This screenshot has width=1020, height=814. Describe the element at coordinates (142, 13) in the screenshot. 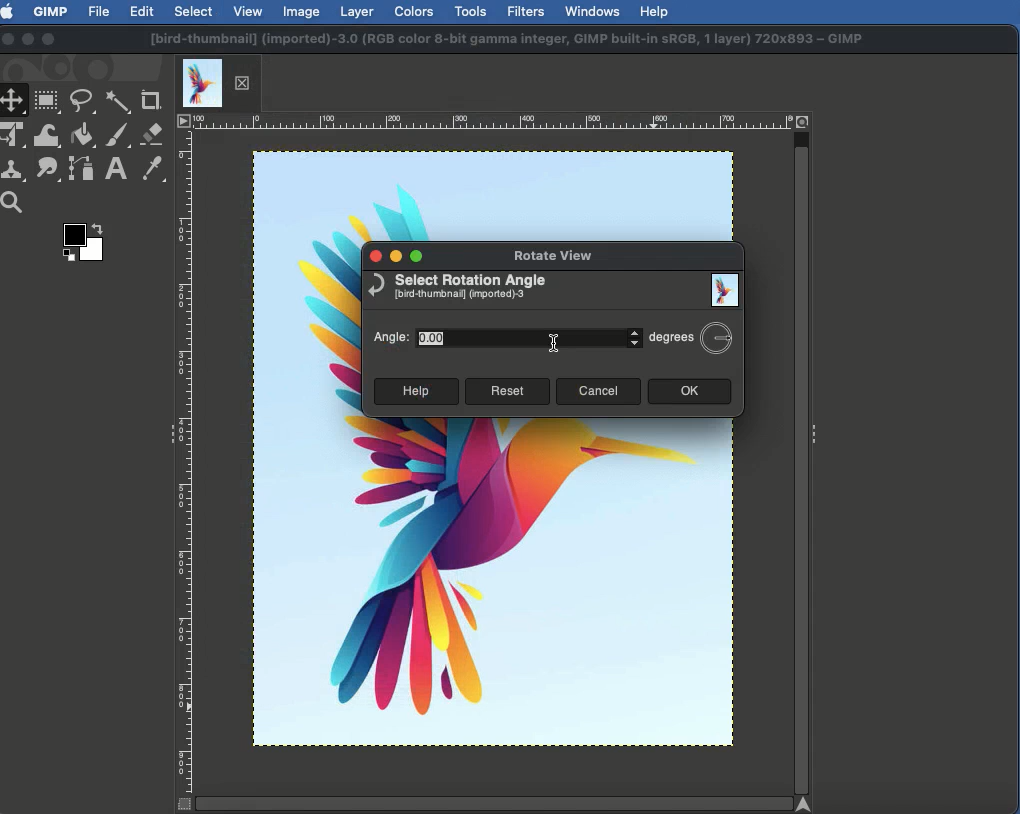

I see `Edit` at that location.